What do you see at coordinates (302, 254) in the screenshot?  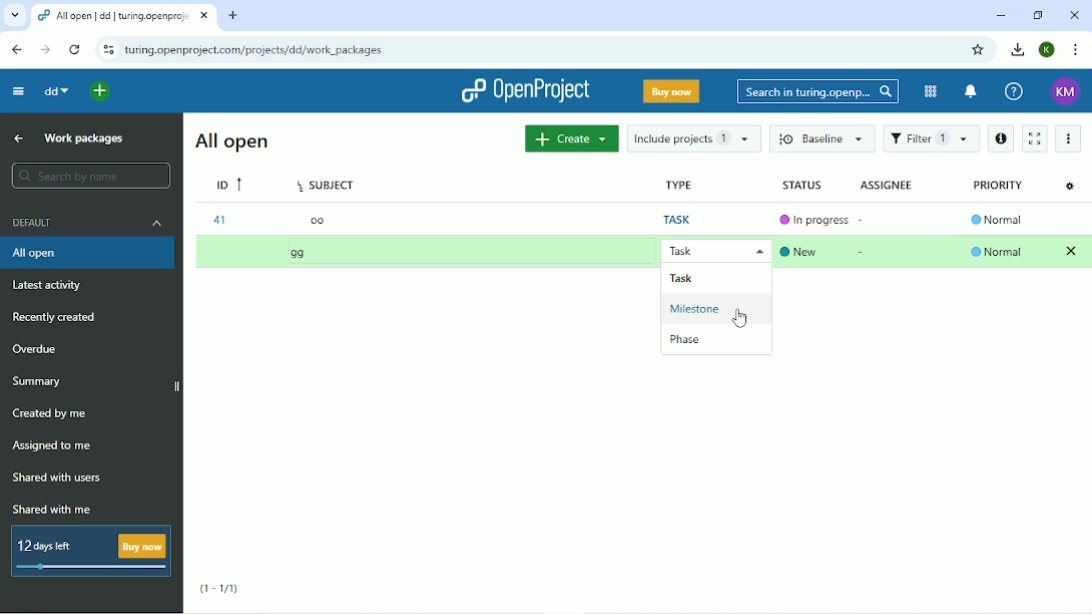 I see `gg` at bounding box center [302, 254].